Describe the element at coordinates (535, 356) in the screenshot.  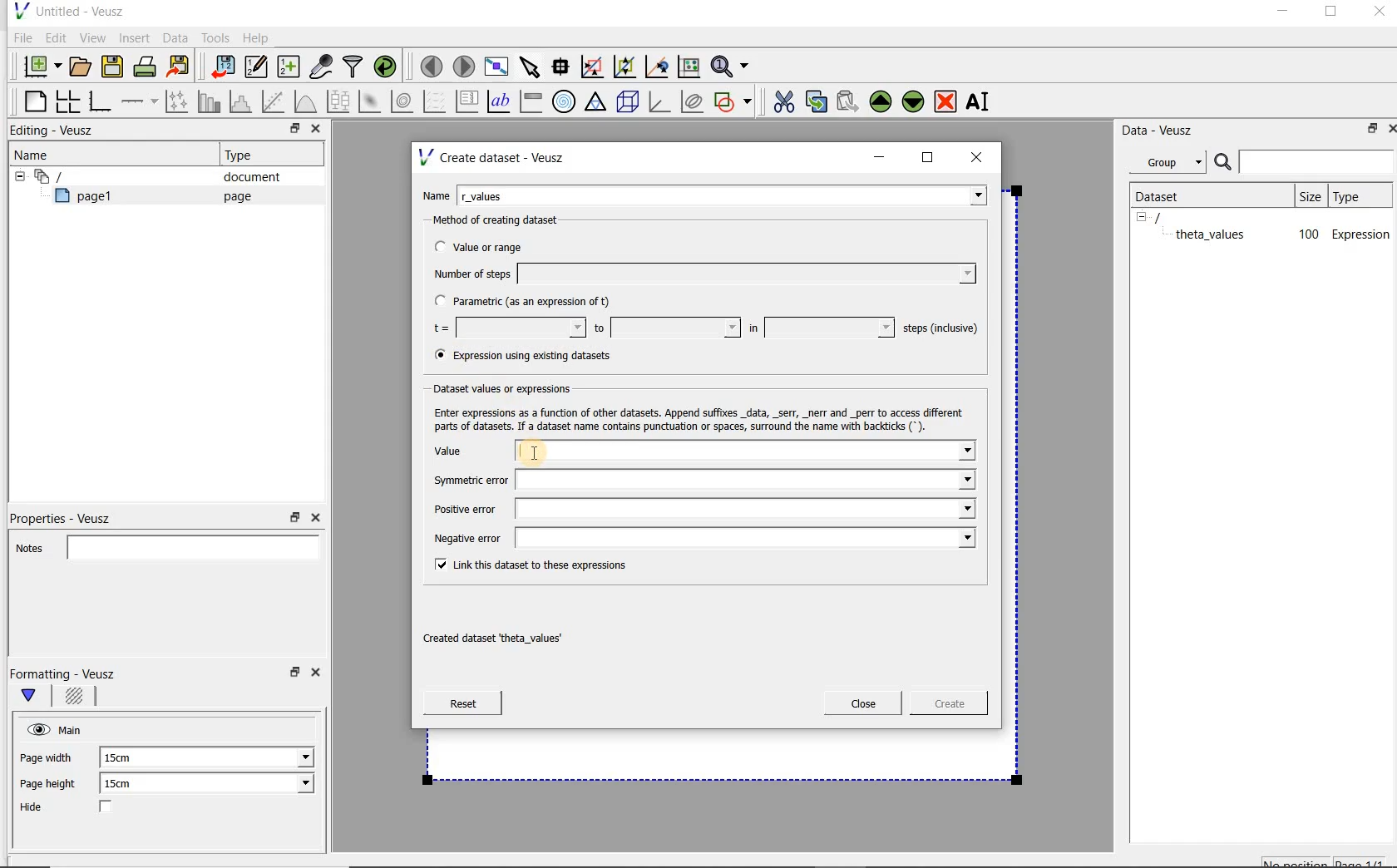
I see `(® Expression using existing datasets` at that location.